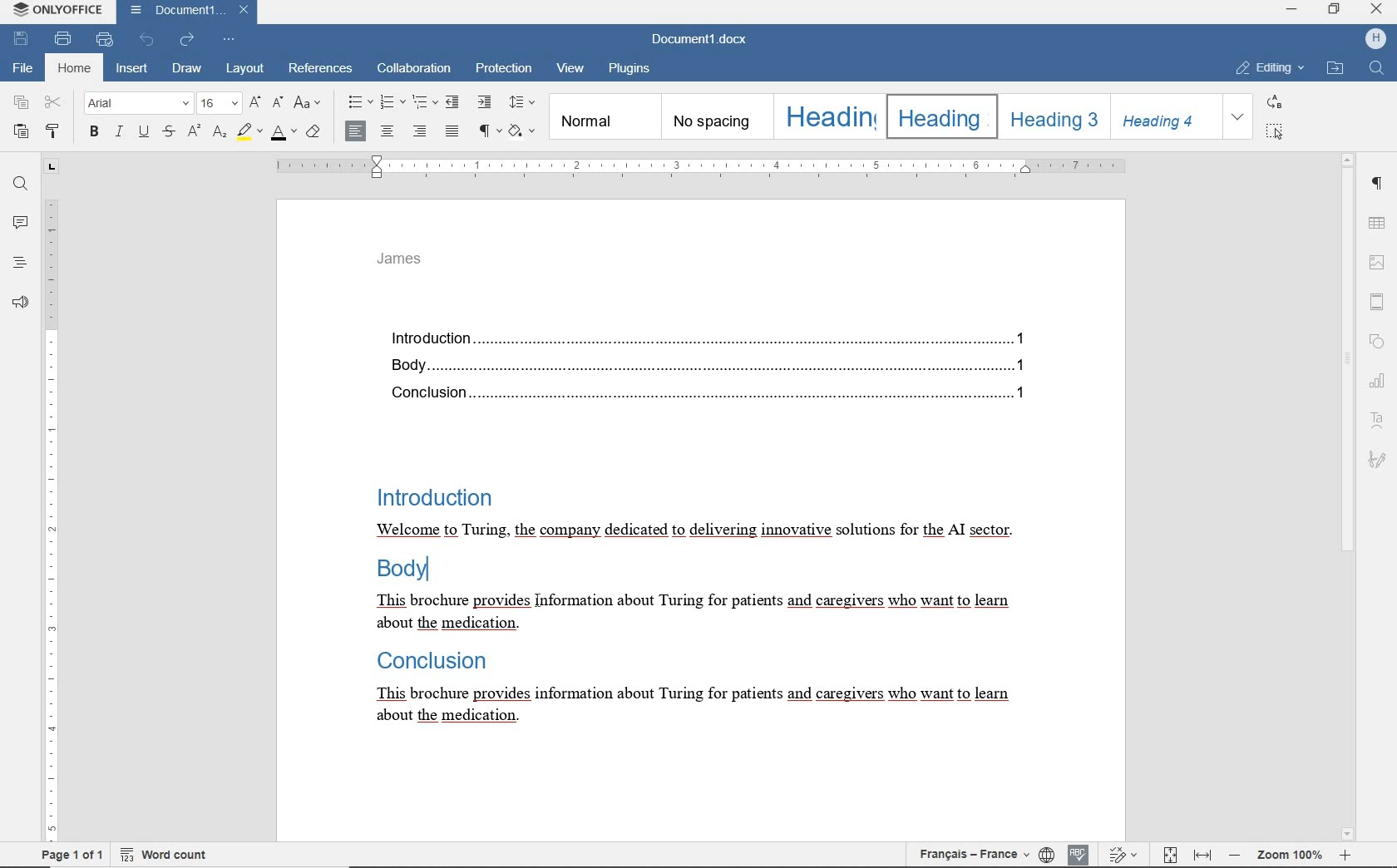 The width and height of the screenshot is (1397, 868). Describe the element at coordinates (503, 70) in the screenshot. I see `PROTECTION` at that location.